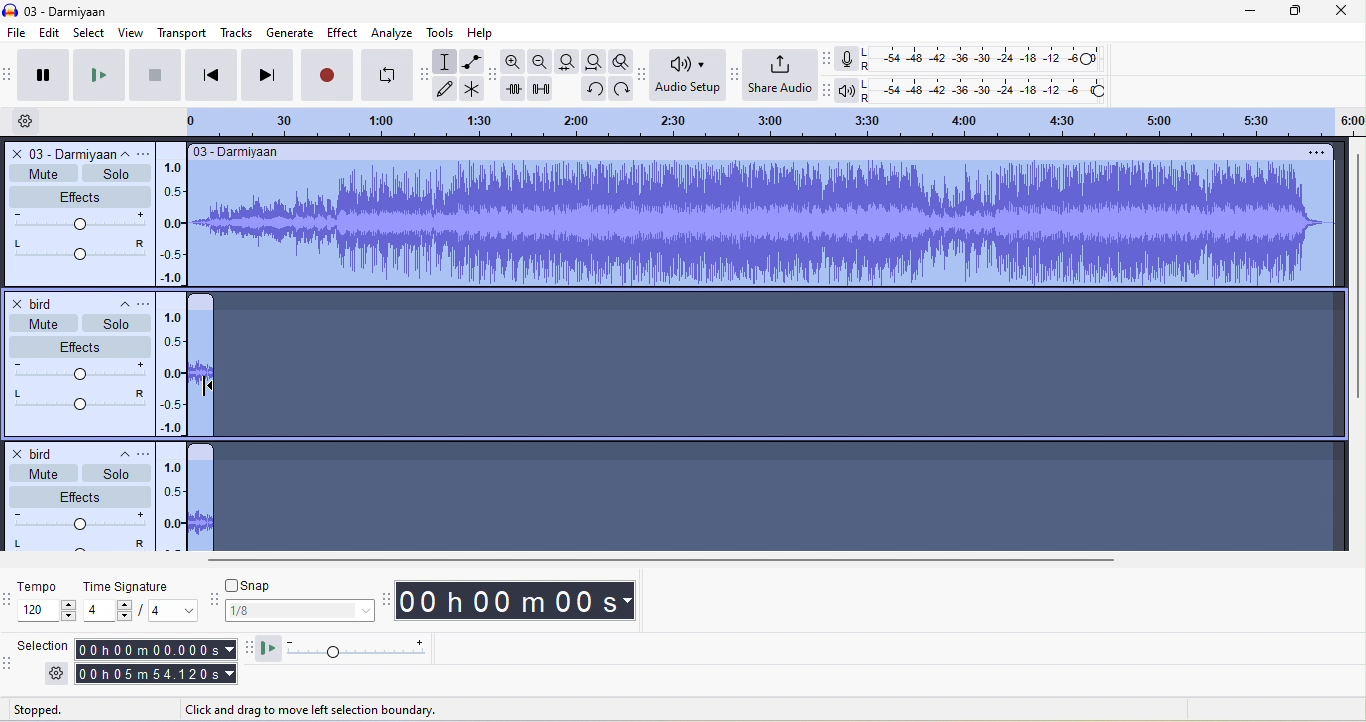 The image size is (1366, 722). Describe the element at coordinates (208, 386) in the screenshot. I see `cursor` at that location.